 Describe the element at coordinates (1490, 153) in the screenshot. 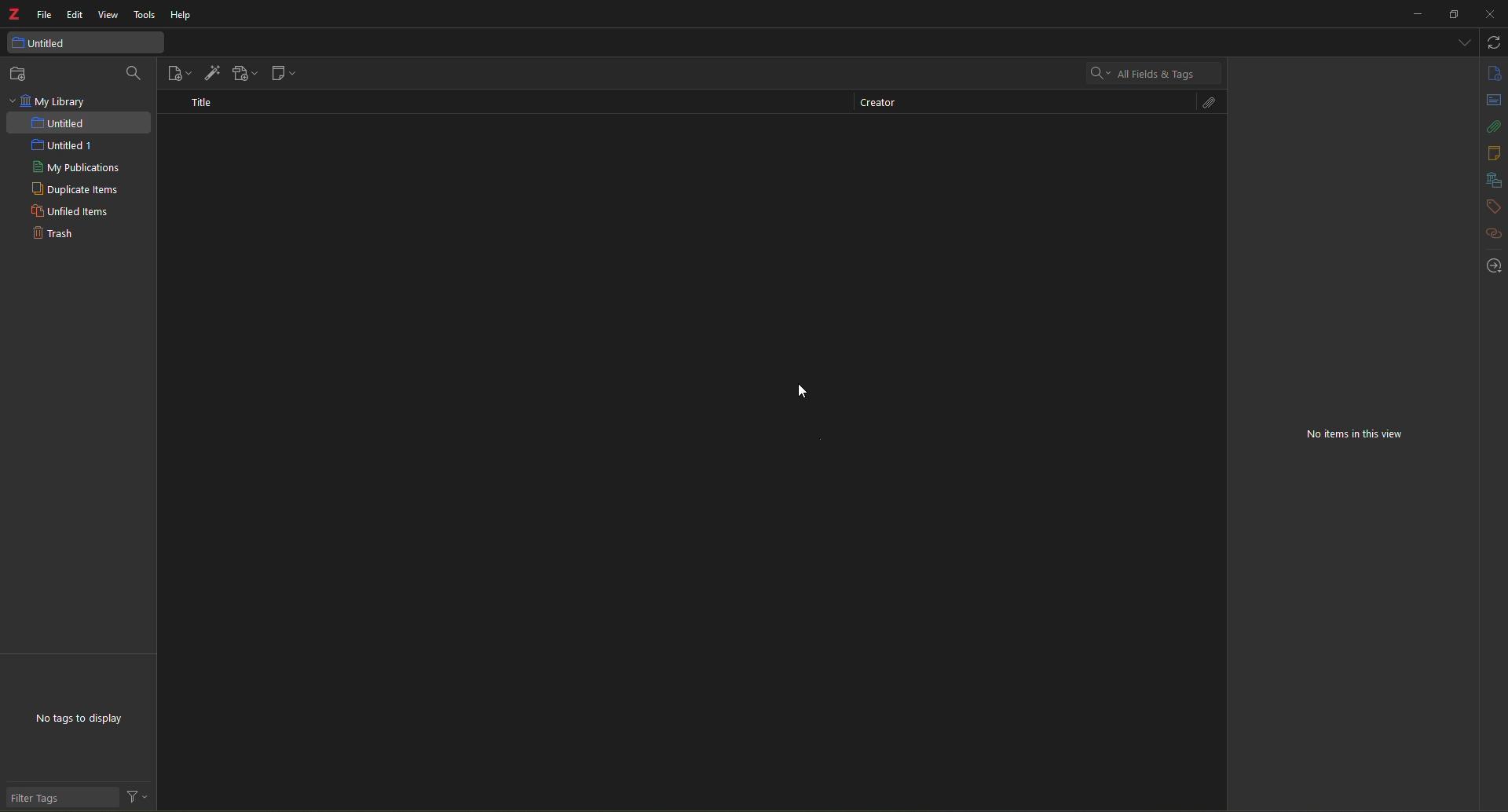

I see `notes` at that location.